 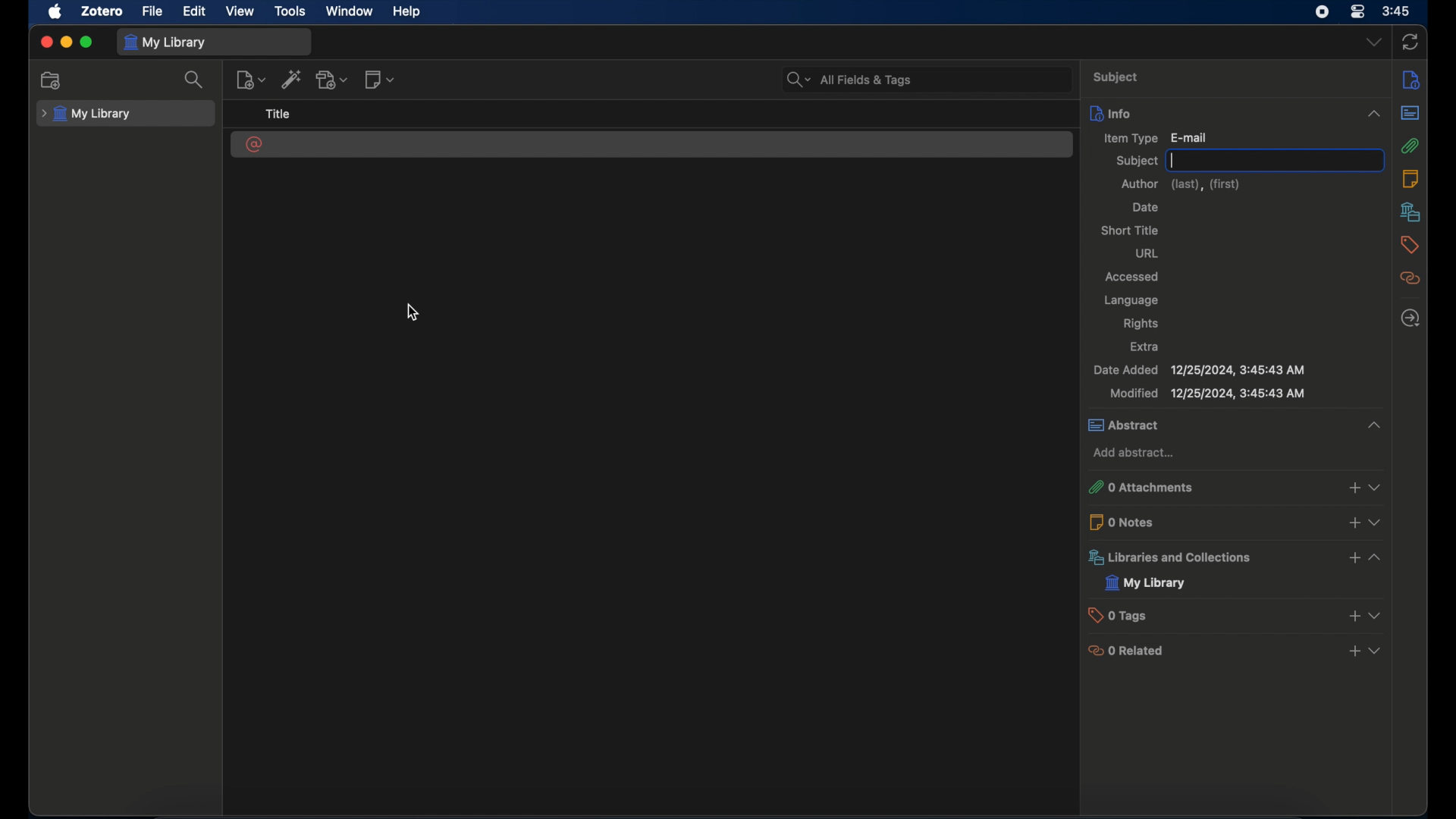 I want to click on email, so click(x=255, y=145).